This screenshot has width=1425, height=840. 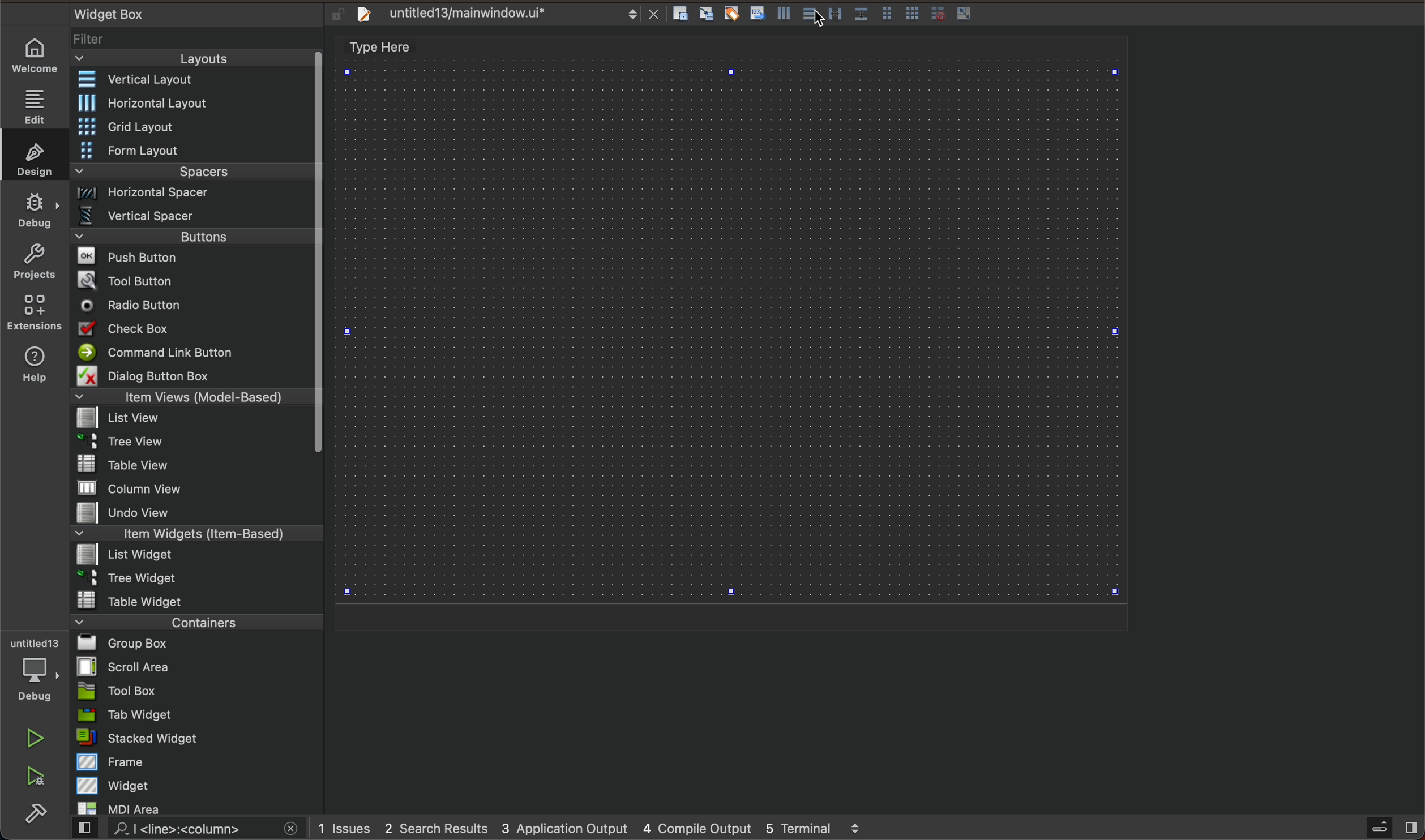 I want to click on edit, so click(x=37, y=102).